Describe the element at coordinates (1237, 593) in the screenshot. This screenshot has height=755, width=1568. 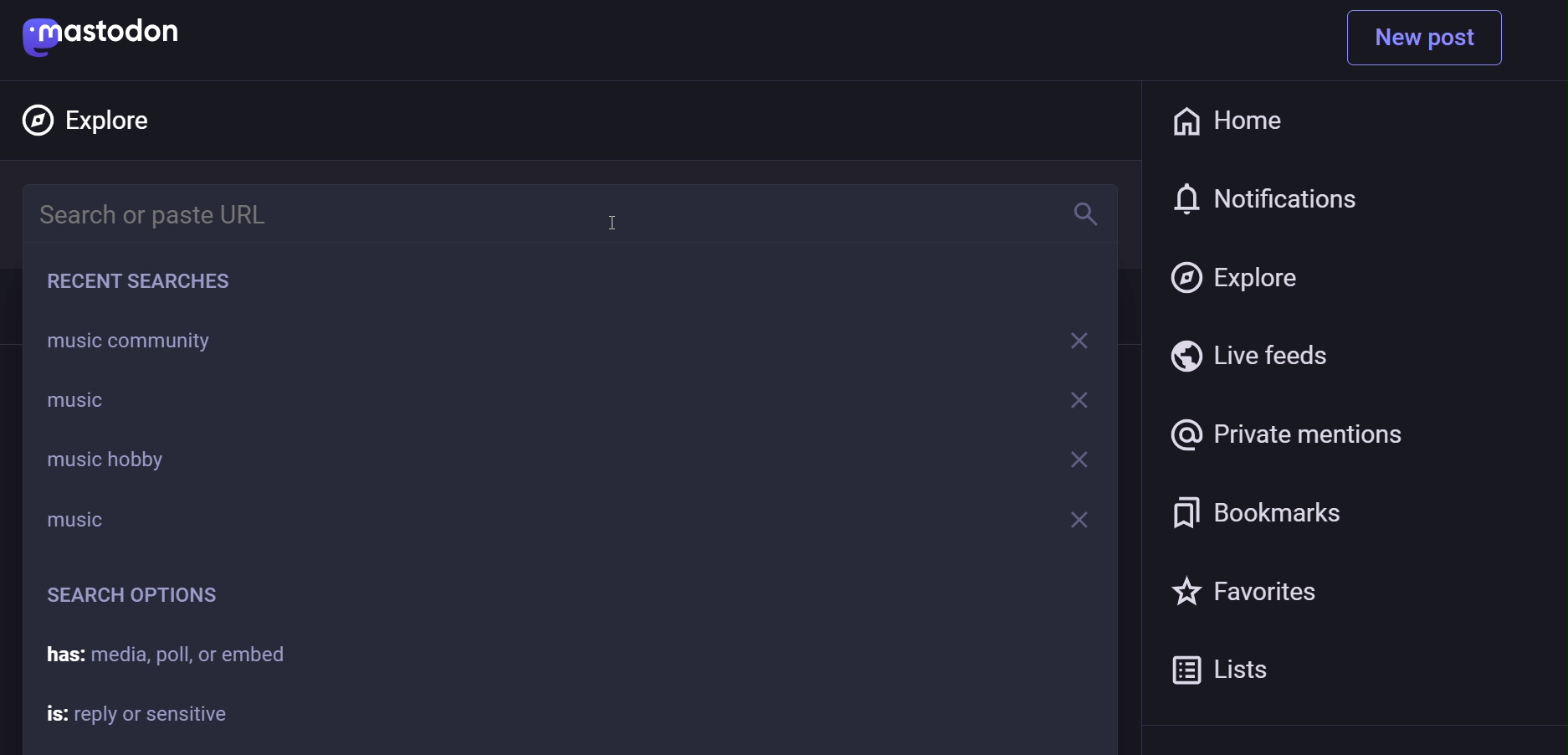
I see `favorite` at that location.